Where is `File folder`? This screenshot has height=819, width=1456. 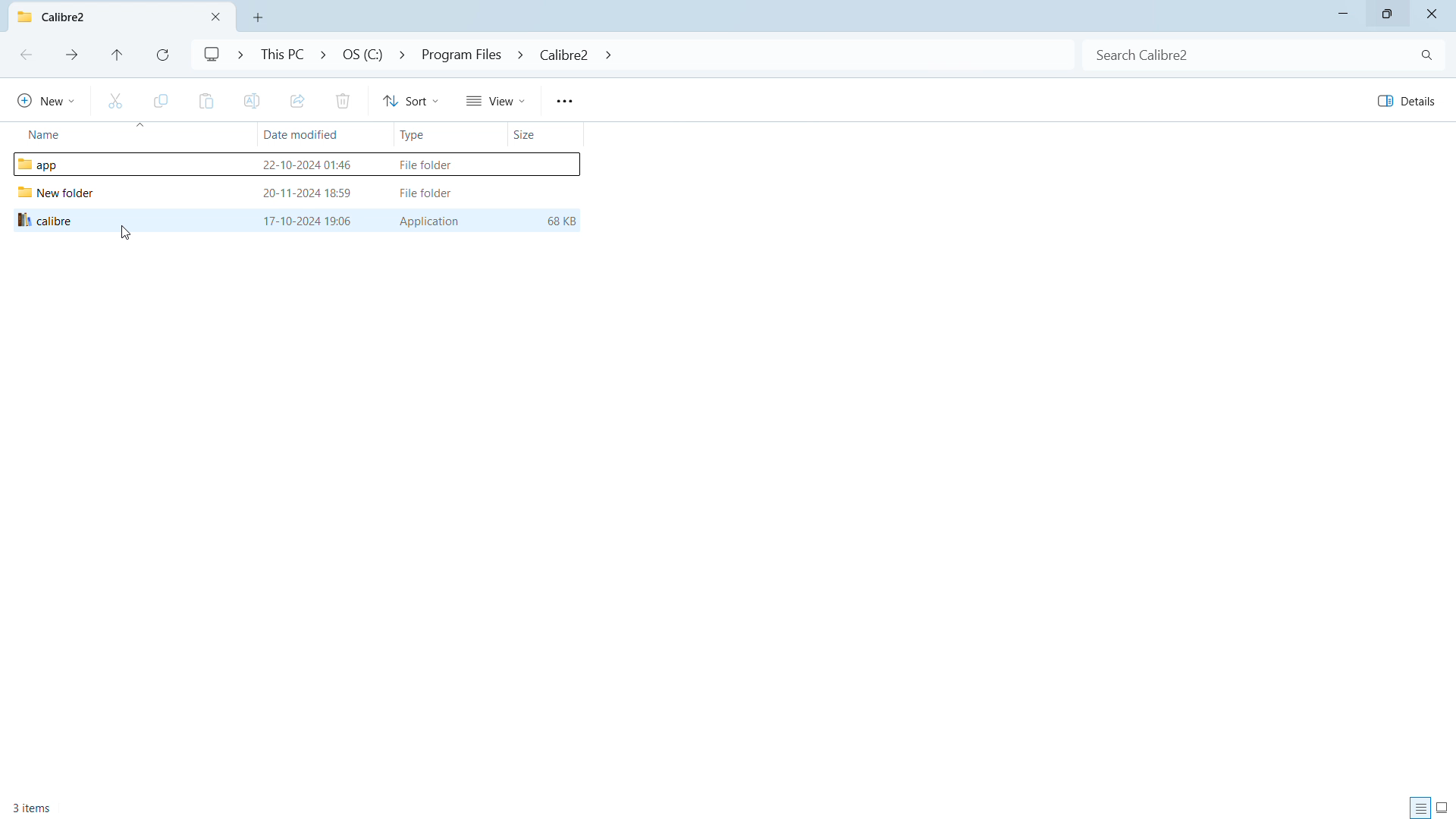 File folder is located at coordinates (425, 165).